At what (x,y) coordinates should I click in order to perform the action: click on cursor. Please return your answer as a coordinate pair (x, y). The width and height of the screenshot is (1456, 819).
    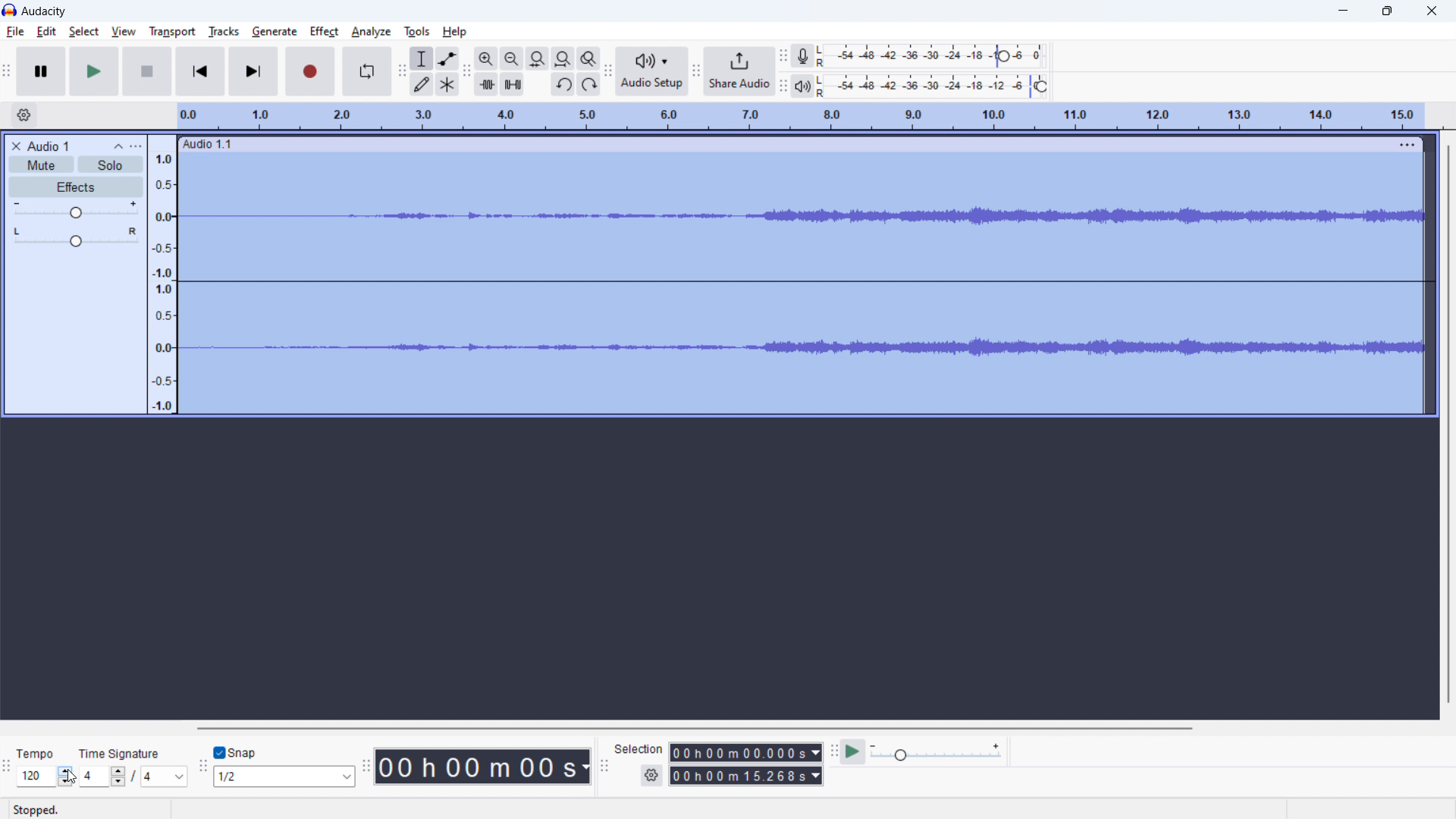
    Looking at the image, I should click on (71, 777).